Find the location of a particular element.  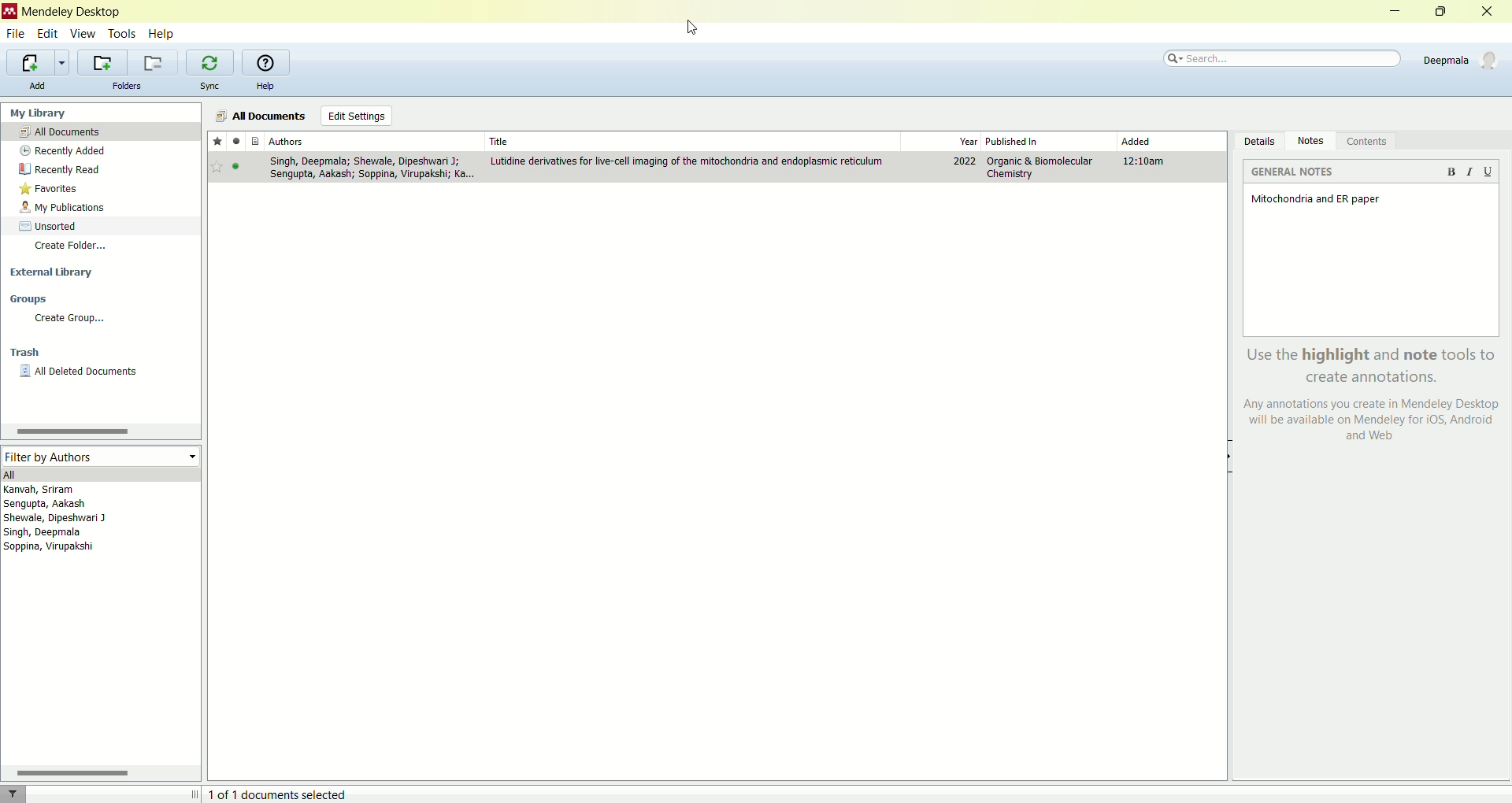

documents is located at coordinates (256, 142).